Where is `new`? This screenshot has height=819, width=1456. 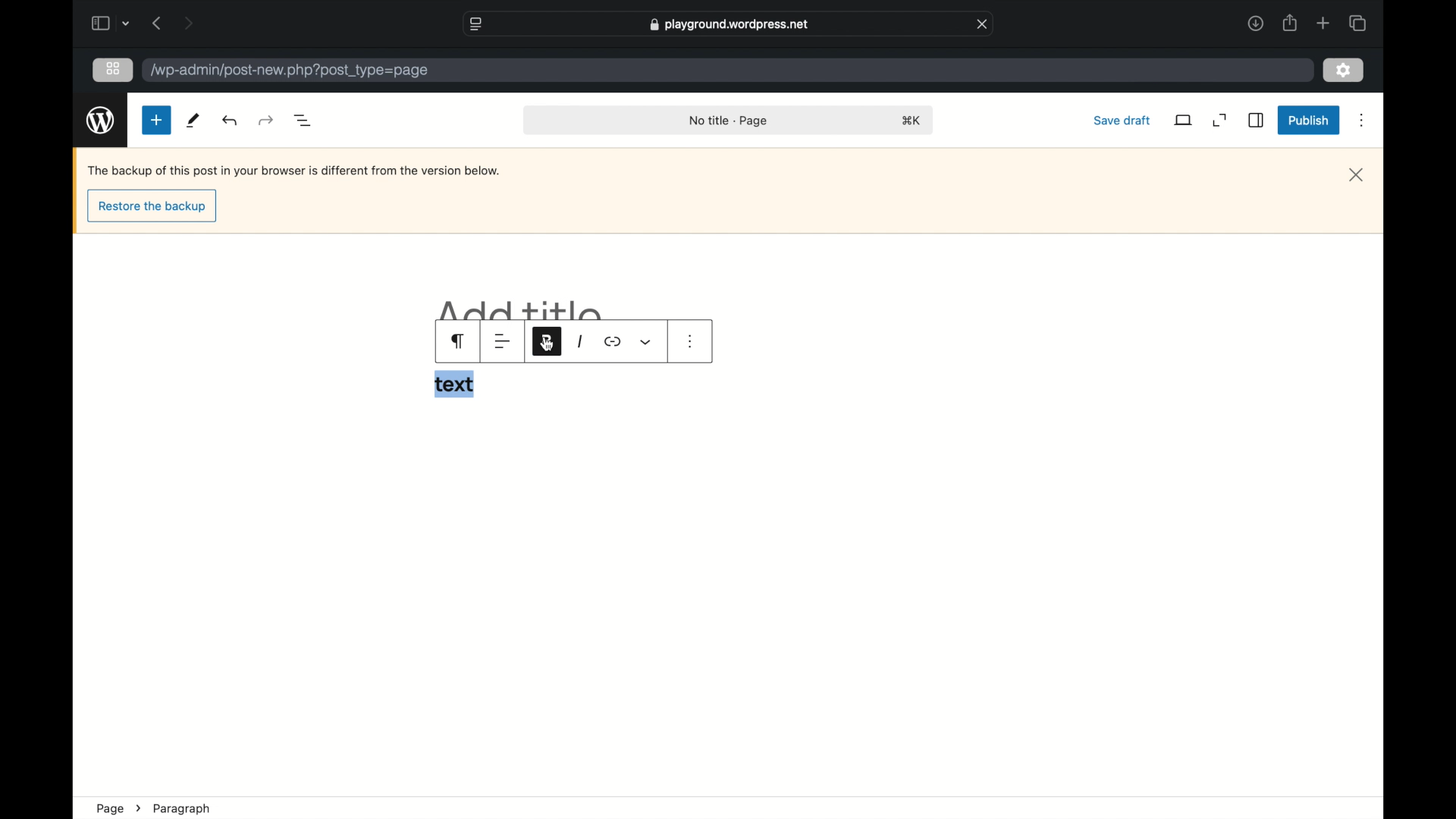
new is located at coordinates (156, 121).